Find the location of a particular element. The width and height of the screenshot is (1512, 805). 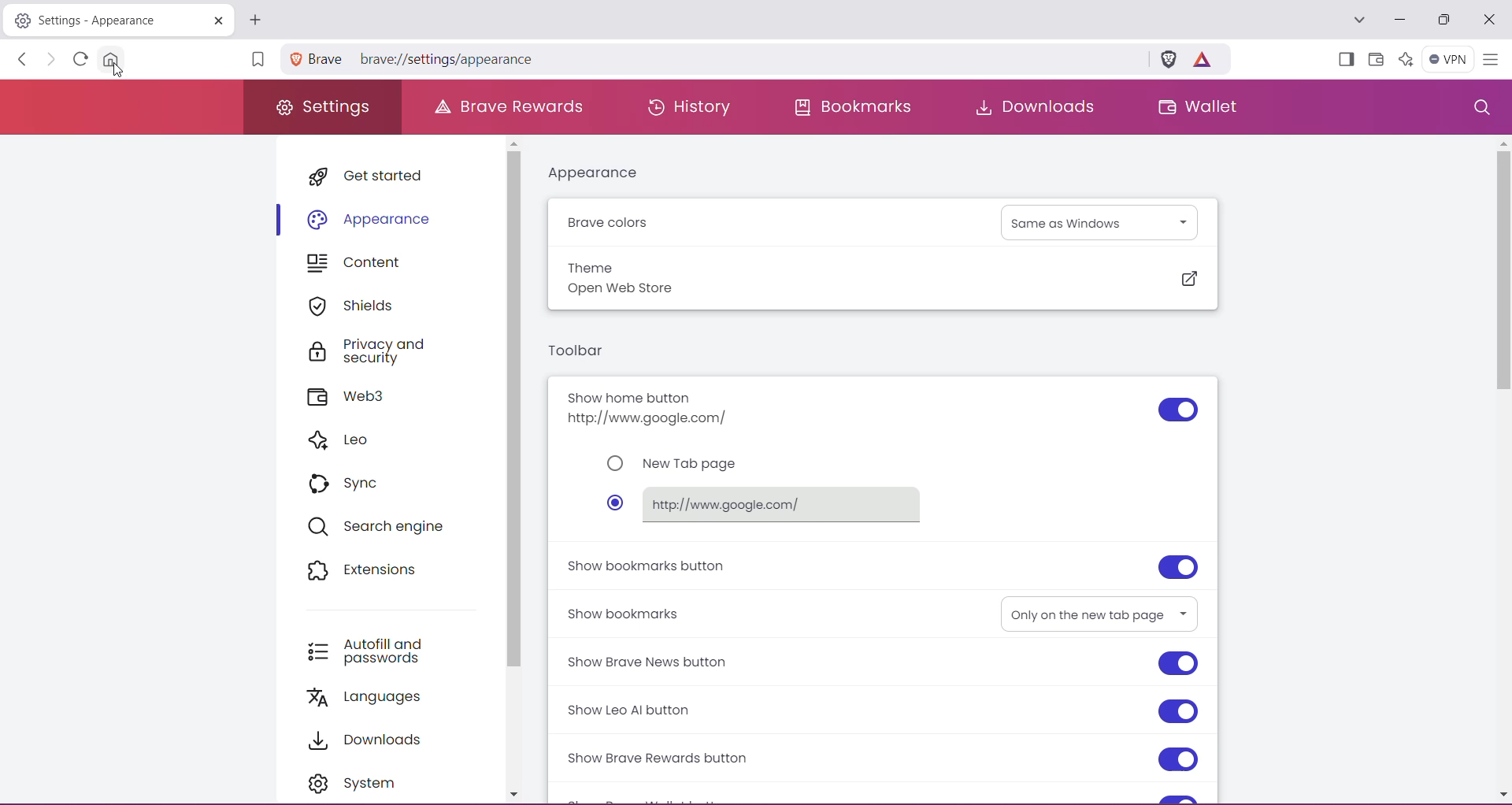

Brave Shields is located at coordinates (1169, 57).